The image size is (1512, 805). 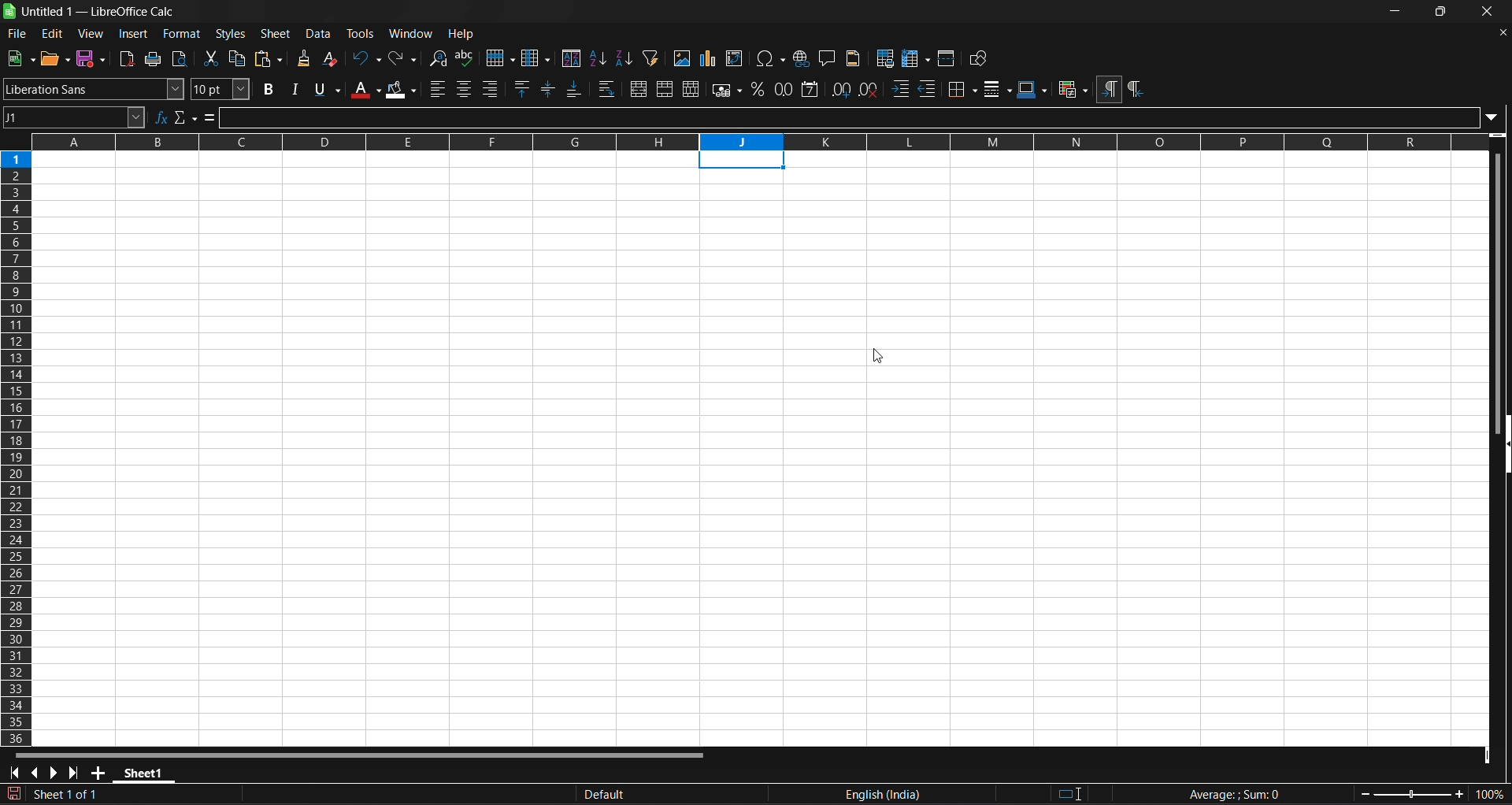 I want to click on scroll to first sheet, so click(x=13, y=773).